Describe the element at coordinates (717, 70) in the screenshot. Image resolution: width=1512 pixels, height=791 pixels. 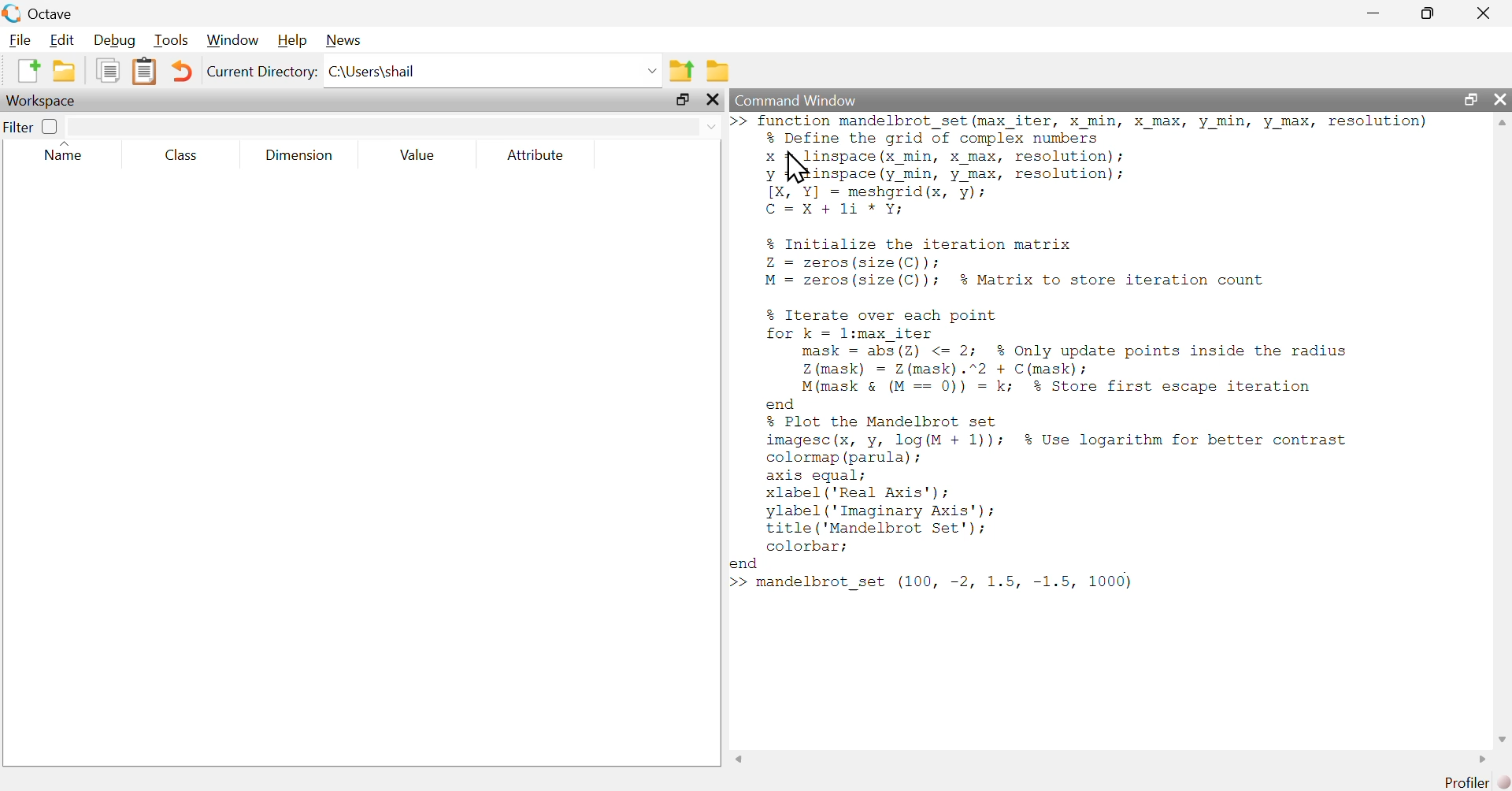
I see `Browse directories` at that location.